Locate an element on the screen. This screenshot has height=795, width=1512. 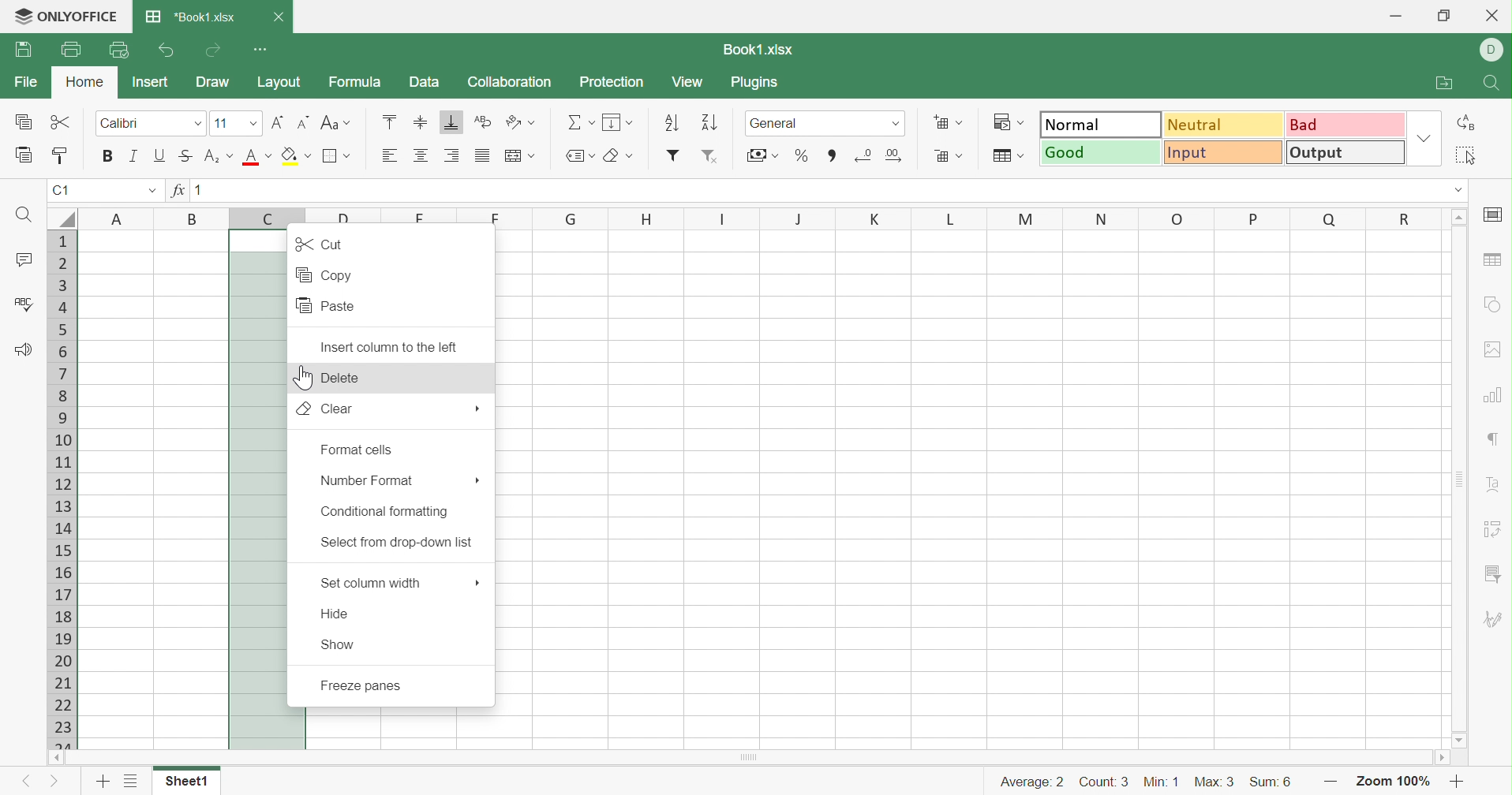
Zoom 100% is located at coordinates (1393, 782).